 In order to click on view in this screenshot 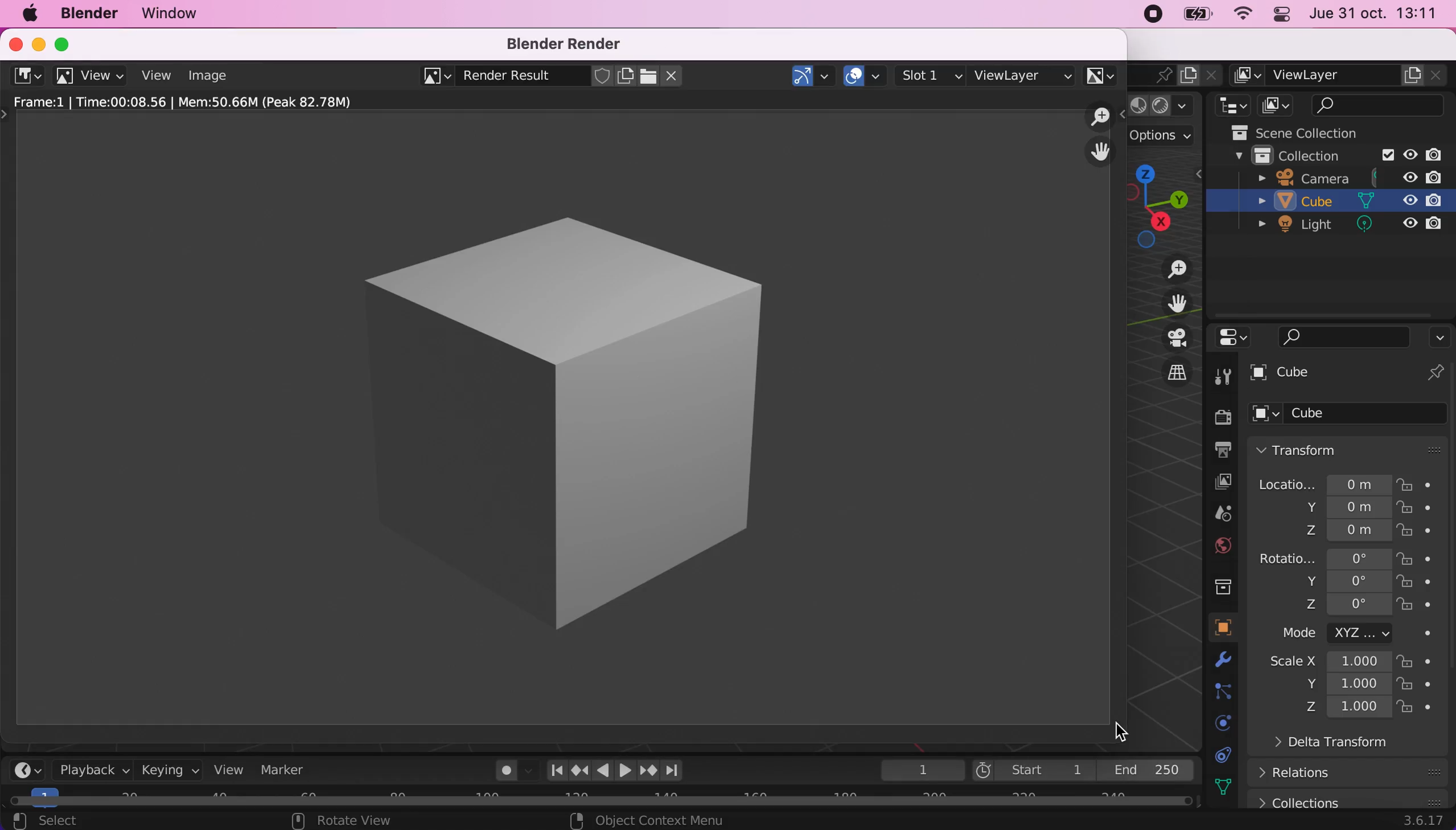, I will do `click(92, 76)`.